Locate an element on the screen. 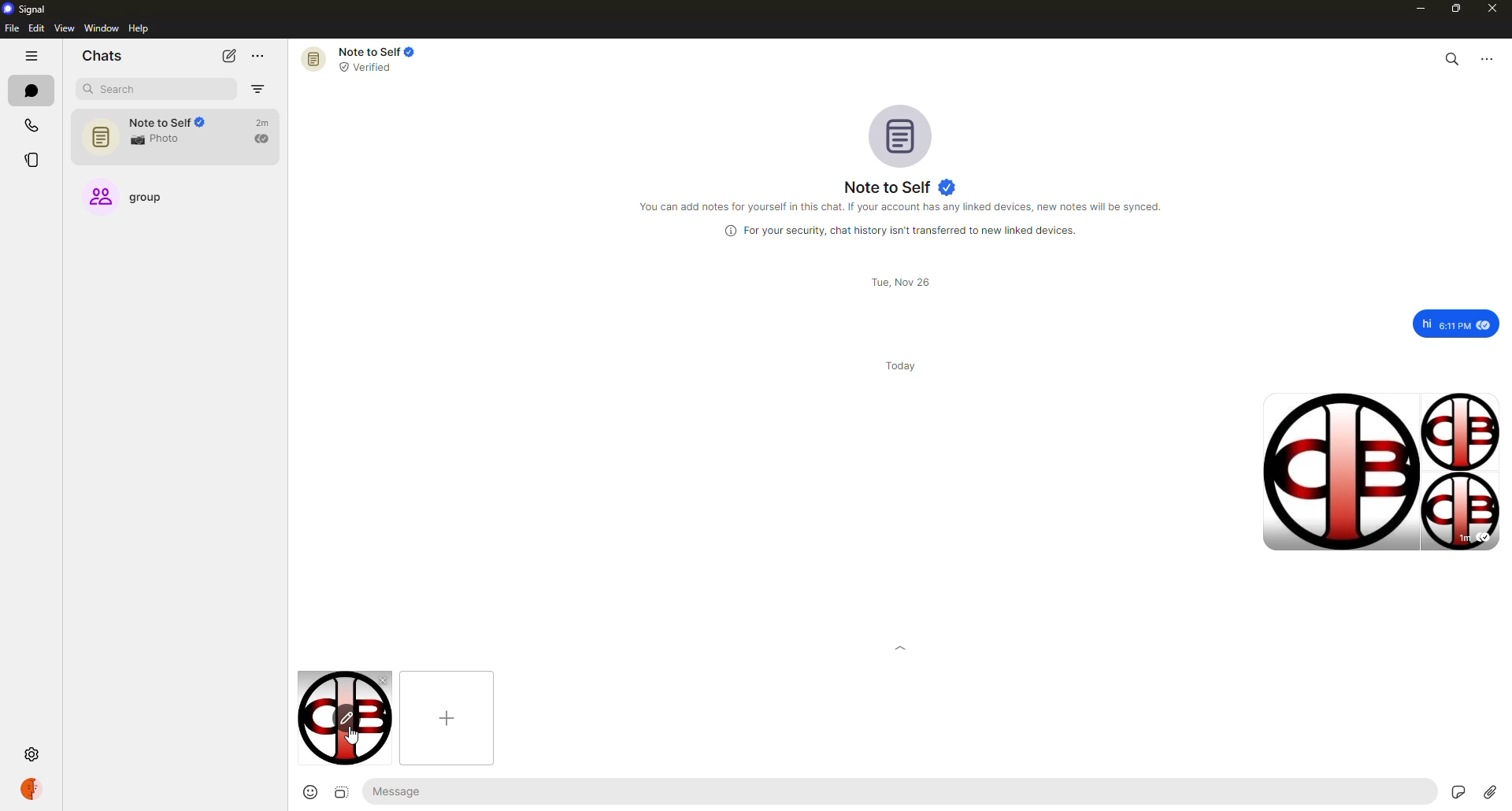  note to self is located at coordinates (371, 58).